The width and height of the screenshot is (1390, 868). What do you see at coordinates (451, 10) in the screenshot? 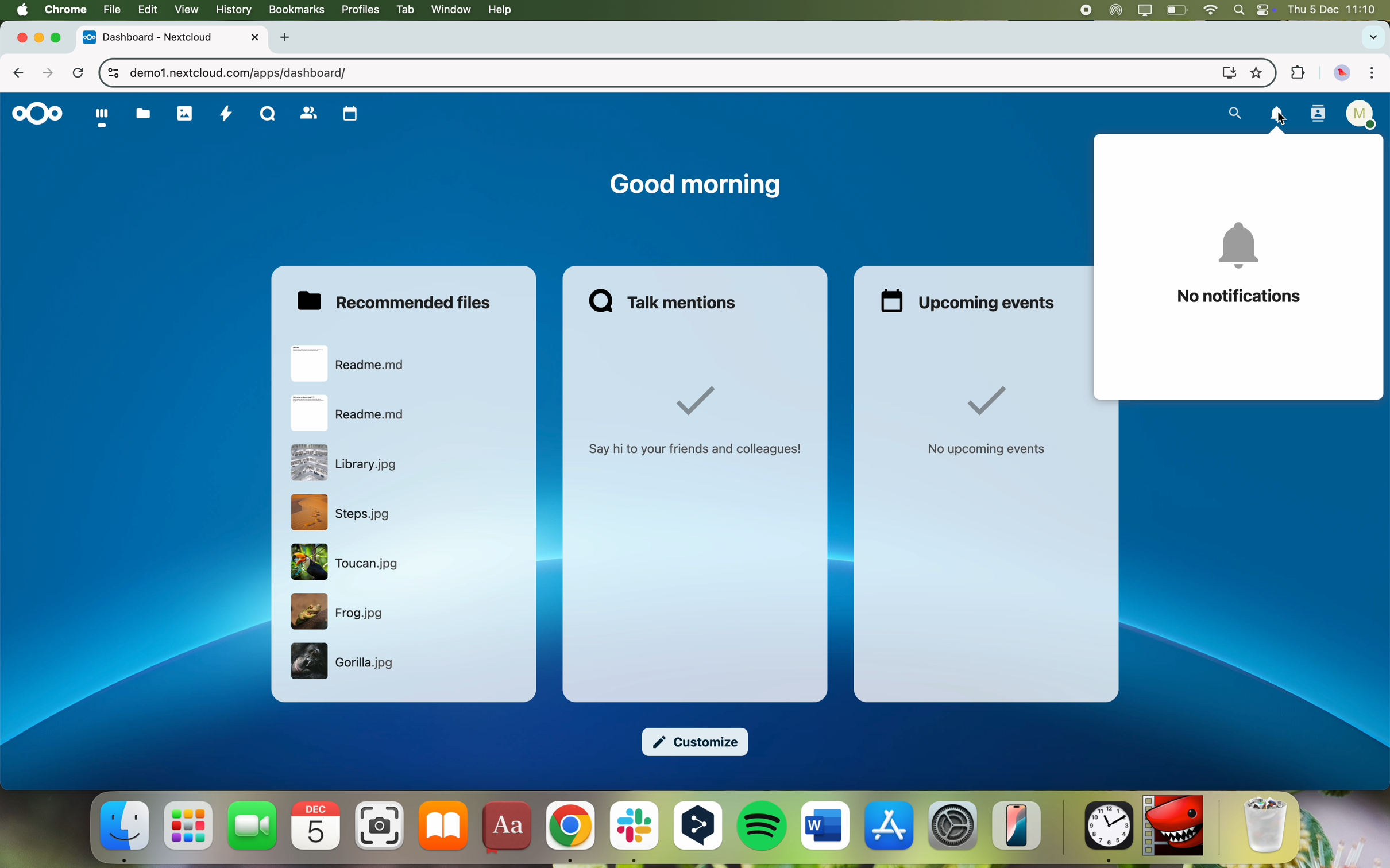
I see `window` at bounding box center [451, 10].